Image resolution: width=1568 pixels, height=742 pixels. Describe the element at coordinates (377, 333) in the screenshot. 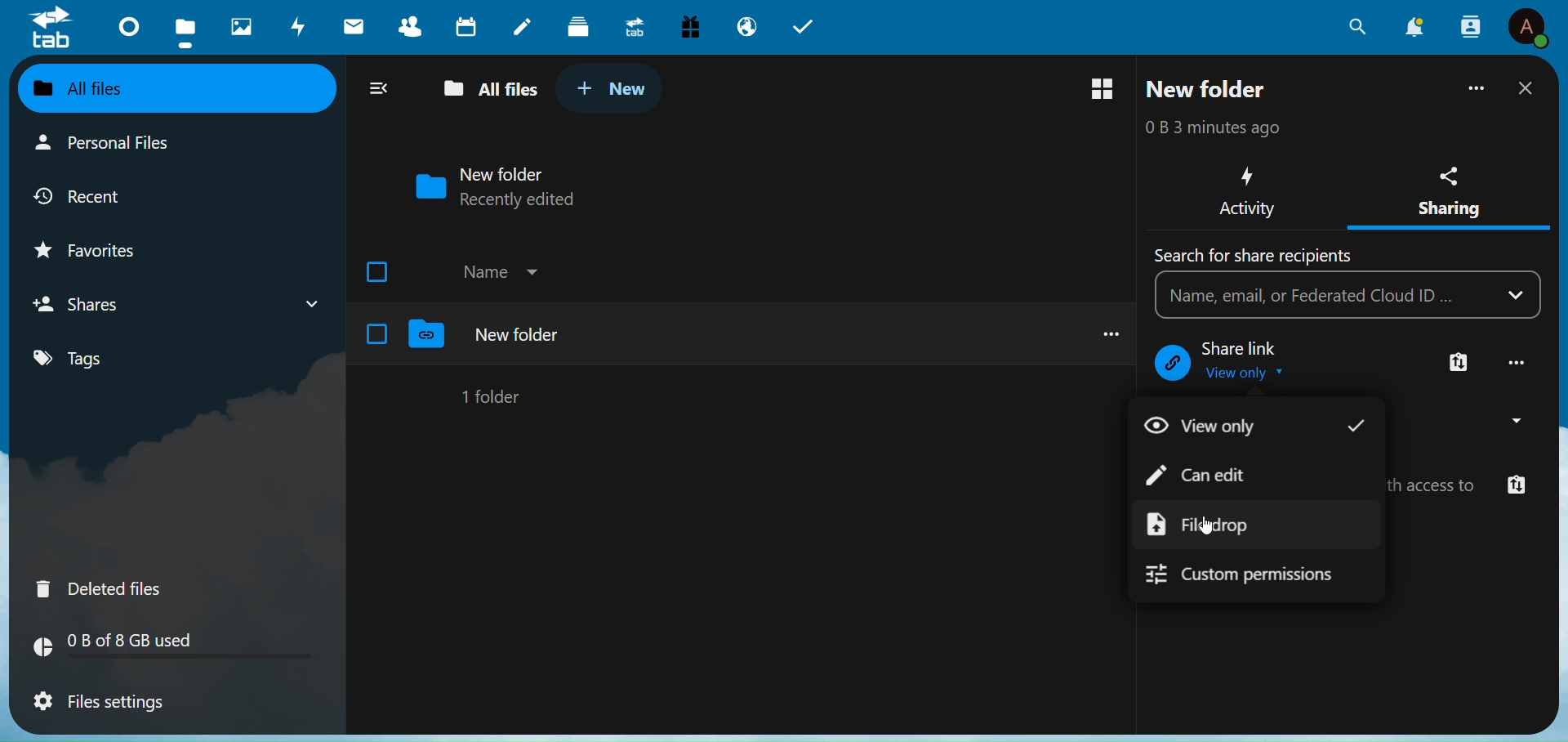

I see `Check Box` at that location.